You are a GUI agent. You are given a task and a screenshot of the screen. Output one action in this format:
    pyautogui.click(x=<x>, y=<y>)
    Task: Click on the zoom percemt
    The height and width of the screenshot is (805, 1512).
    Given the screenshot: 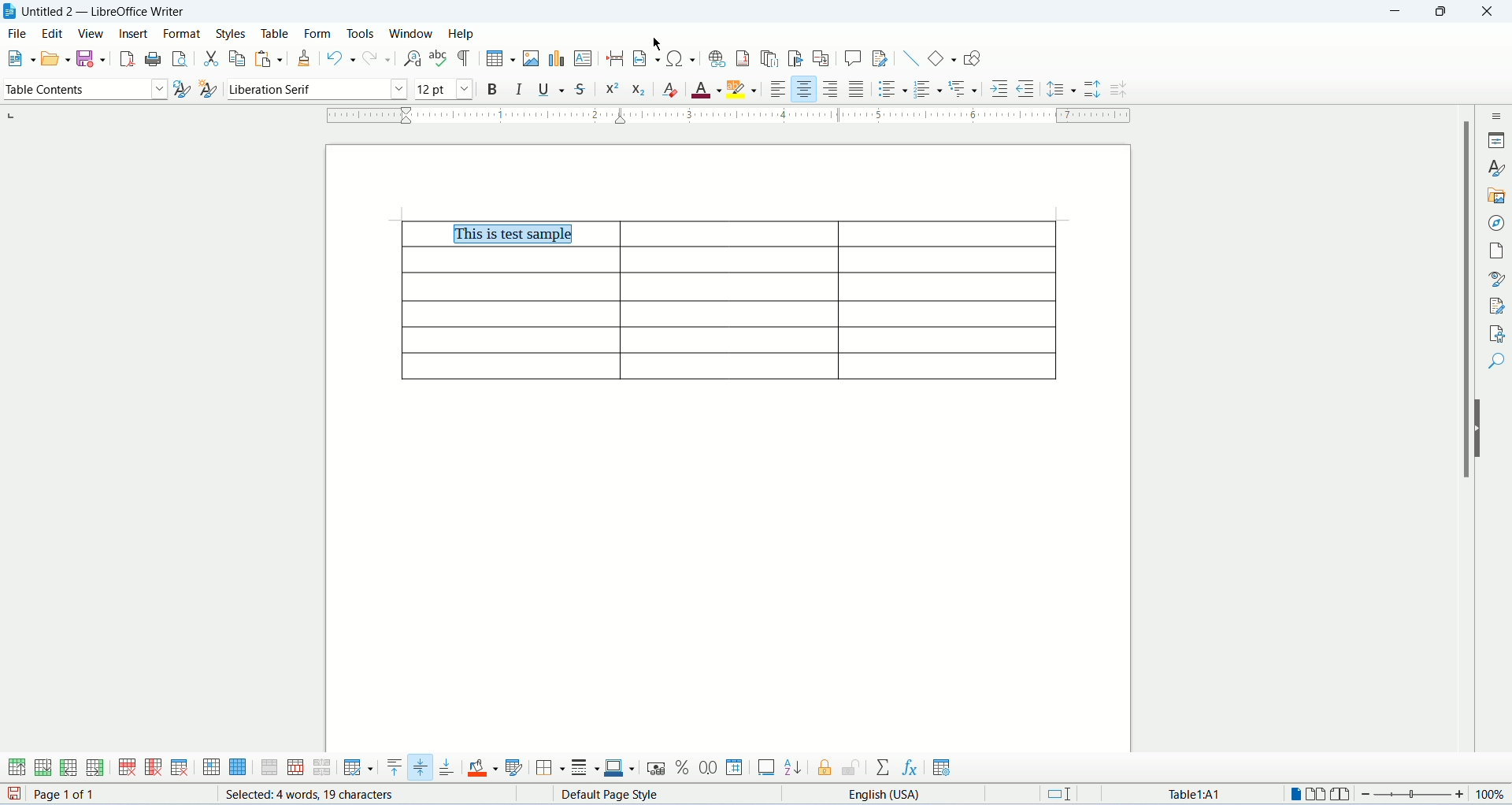 What is the action you would take?
    pyautogui.click(x=1492, y=794)
    